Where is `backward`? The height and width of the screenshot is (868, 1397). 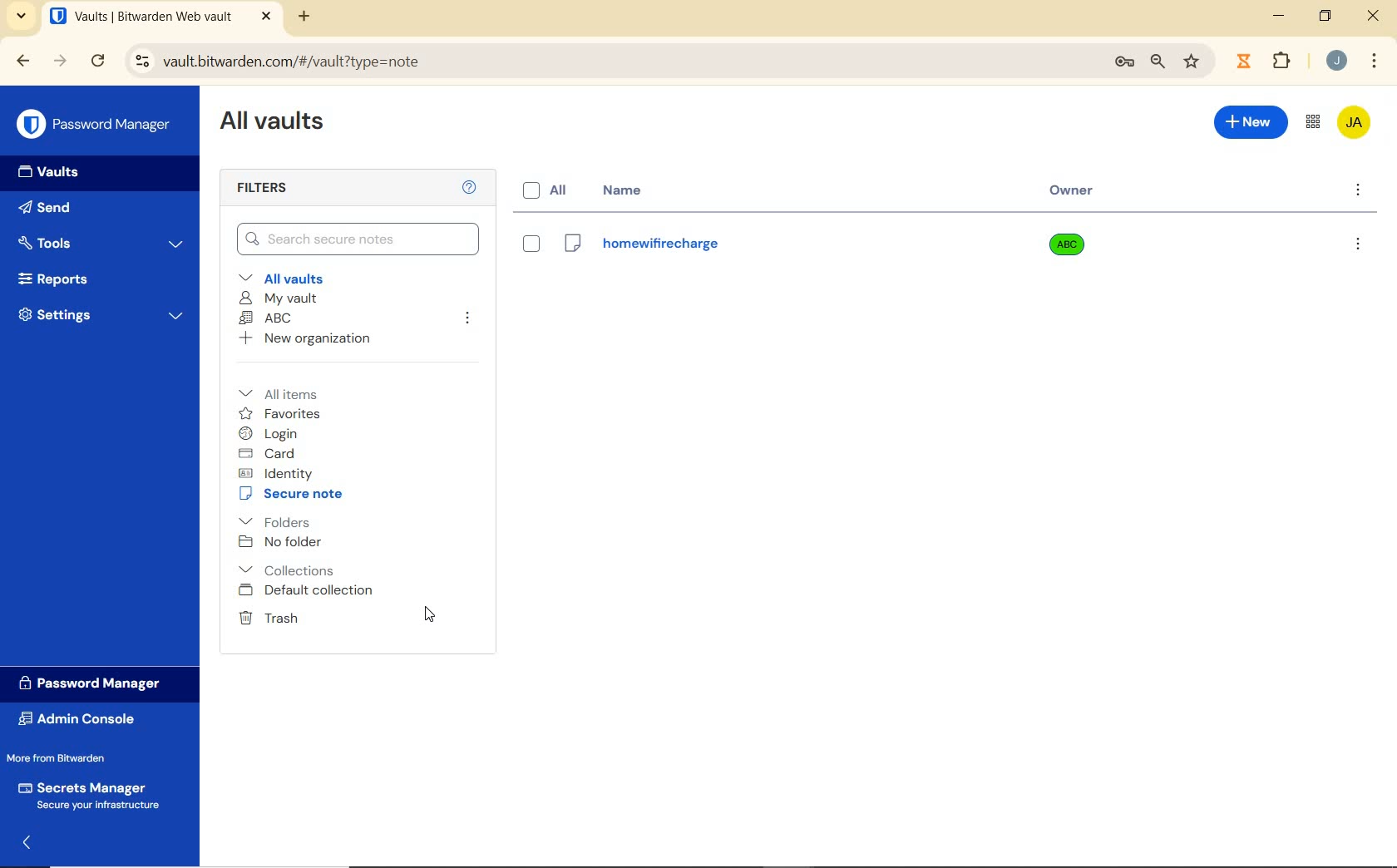 backward is located at coordinates (23, 62).